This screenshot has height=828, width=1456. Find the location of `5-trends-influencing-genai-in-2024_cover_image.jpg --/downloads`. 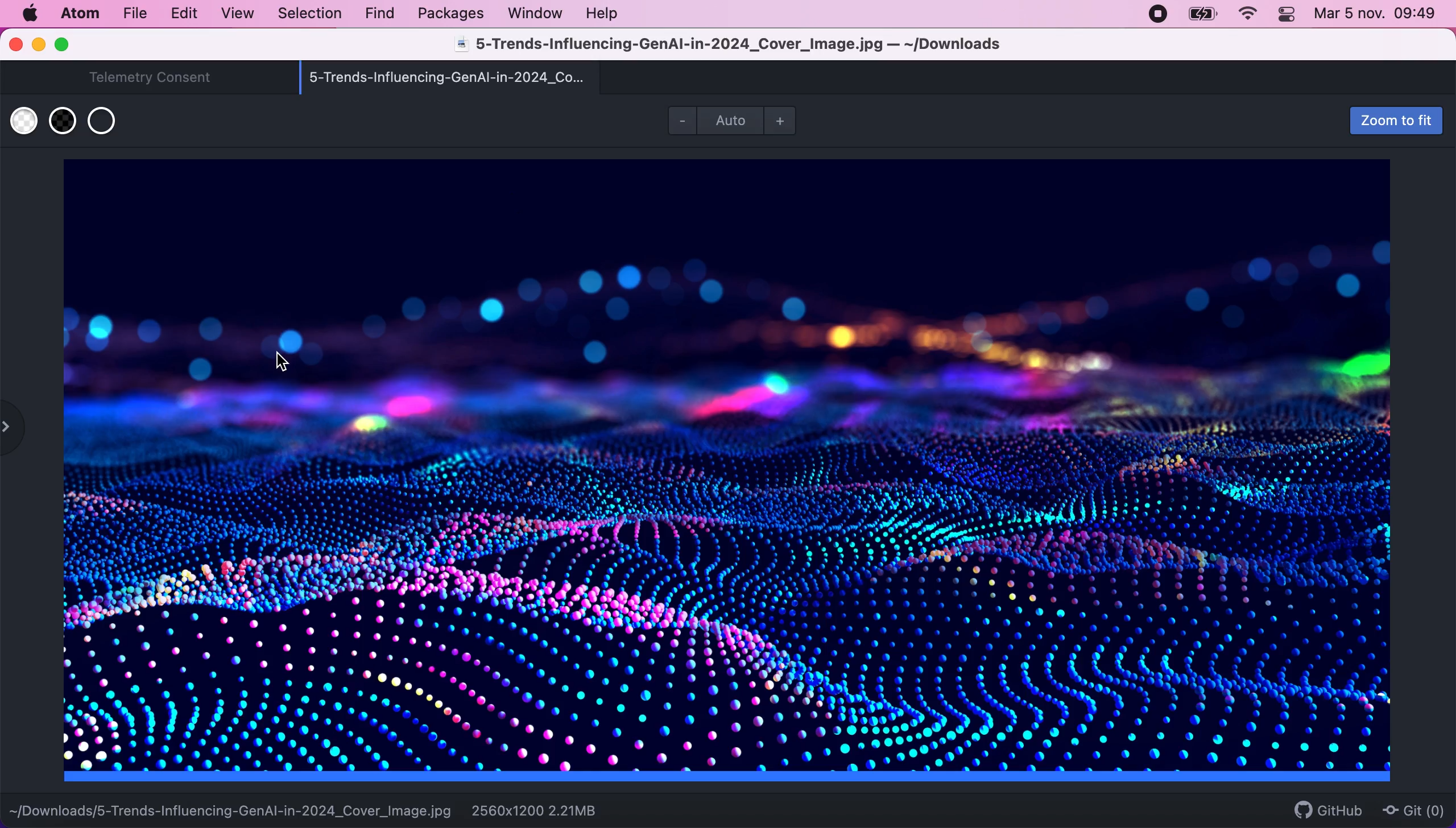

5-trends-influencing-genai-in-2024_cover_image.jpg --/downloads is located at coordinates (733, 46).